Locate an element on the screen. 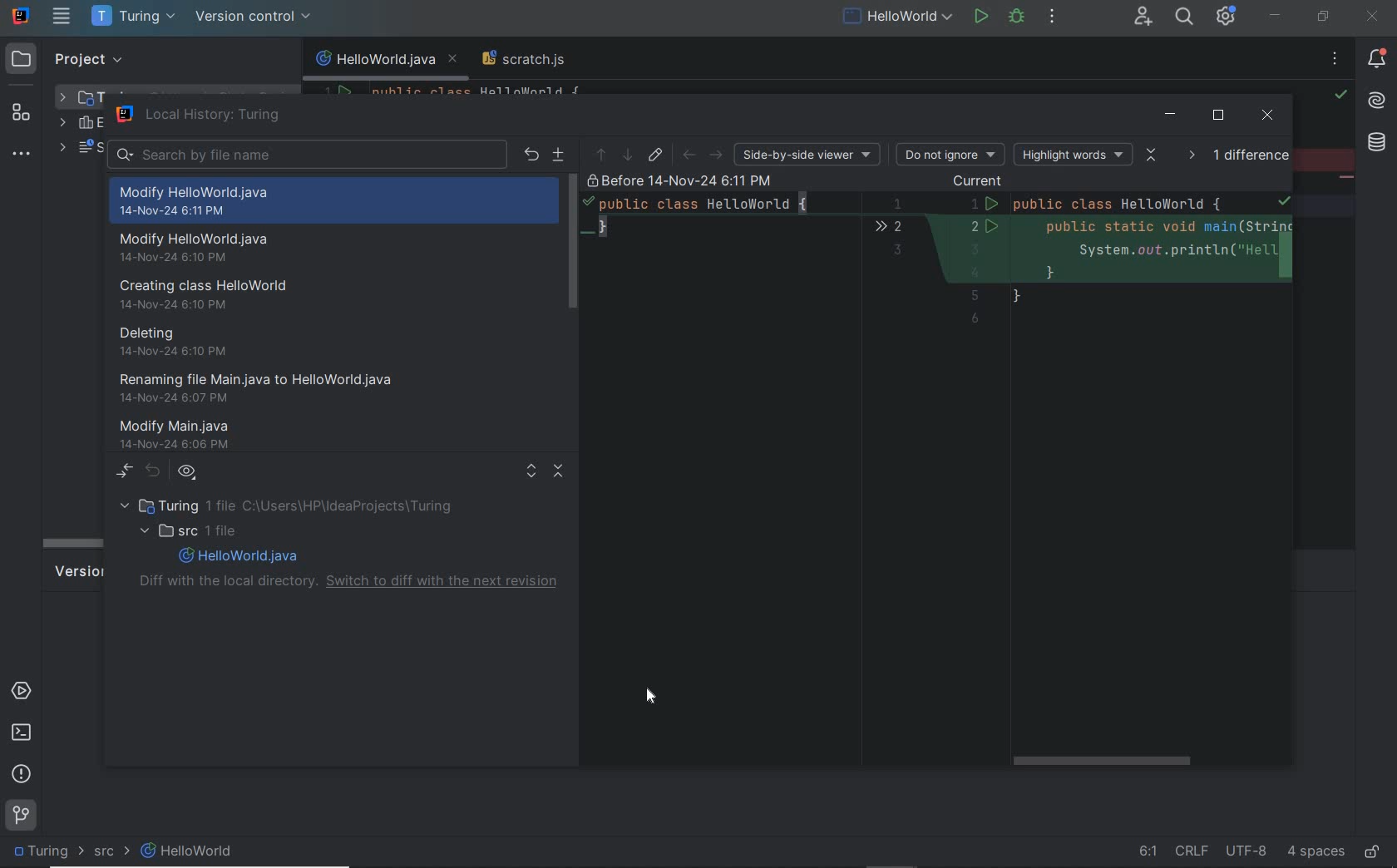 This screenshot has height=868, width=1397. run is located at coordinates (983, 17).